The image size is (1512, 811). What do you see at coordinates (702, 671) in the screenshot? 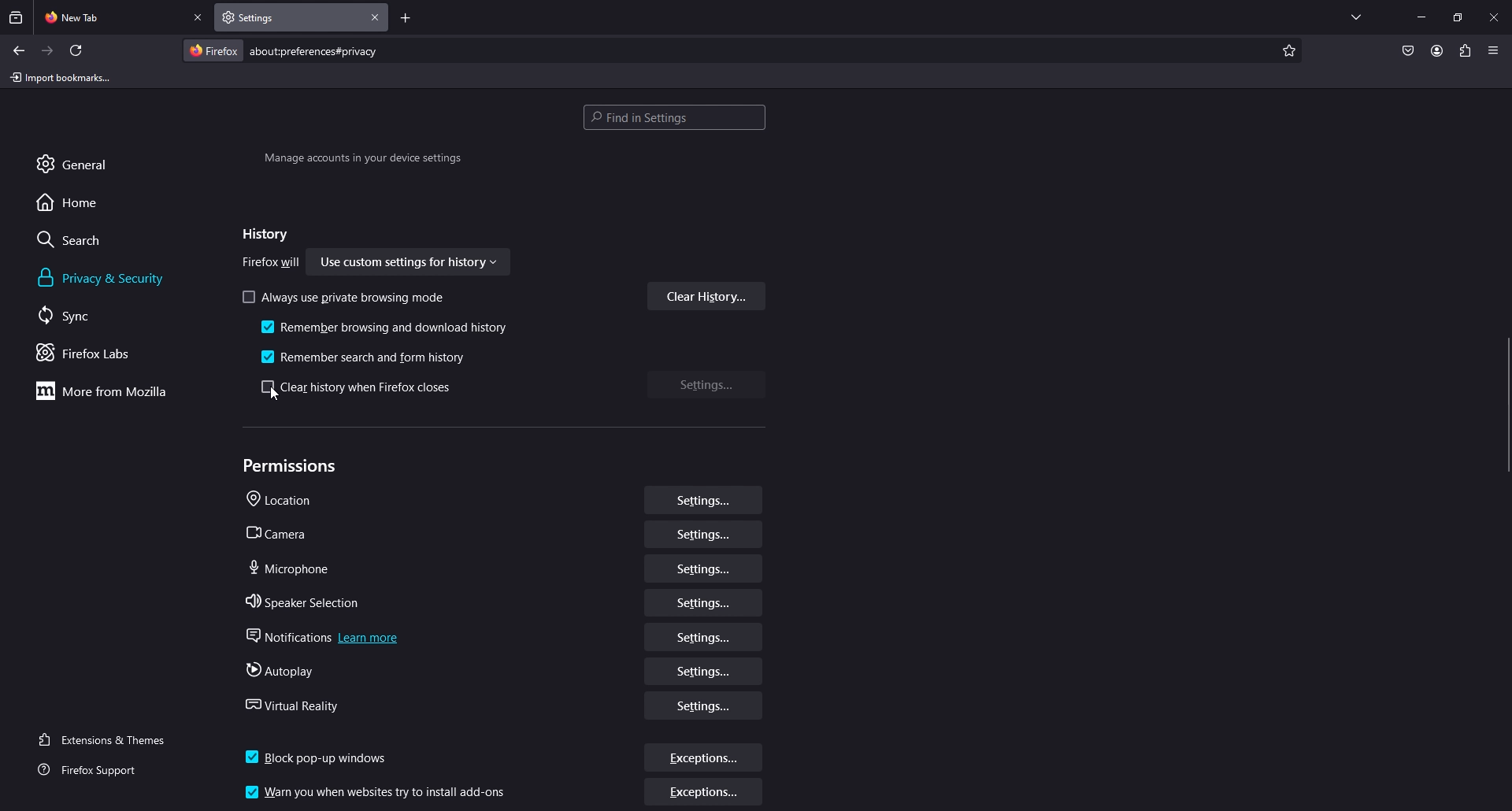
I see `settings` at bounding box center [702, 671].